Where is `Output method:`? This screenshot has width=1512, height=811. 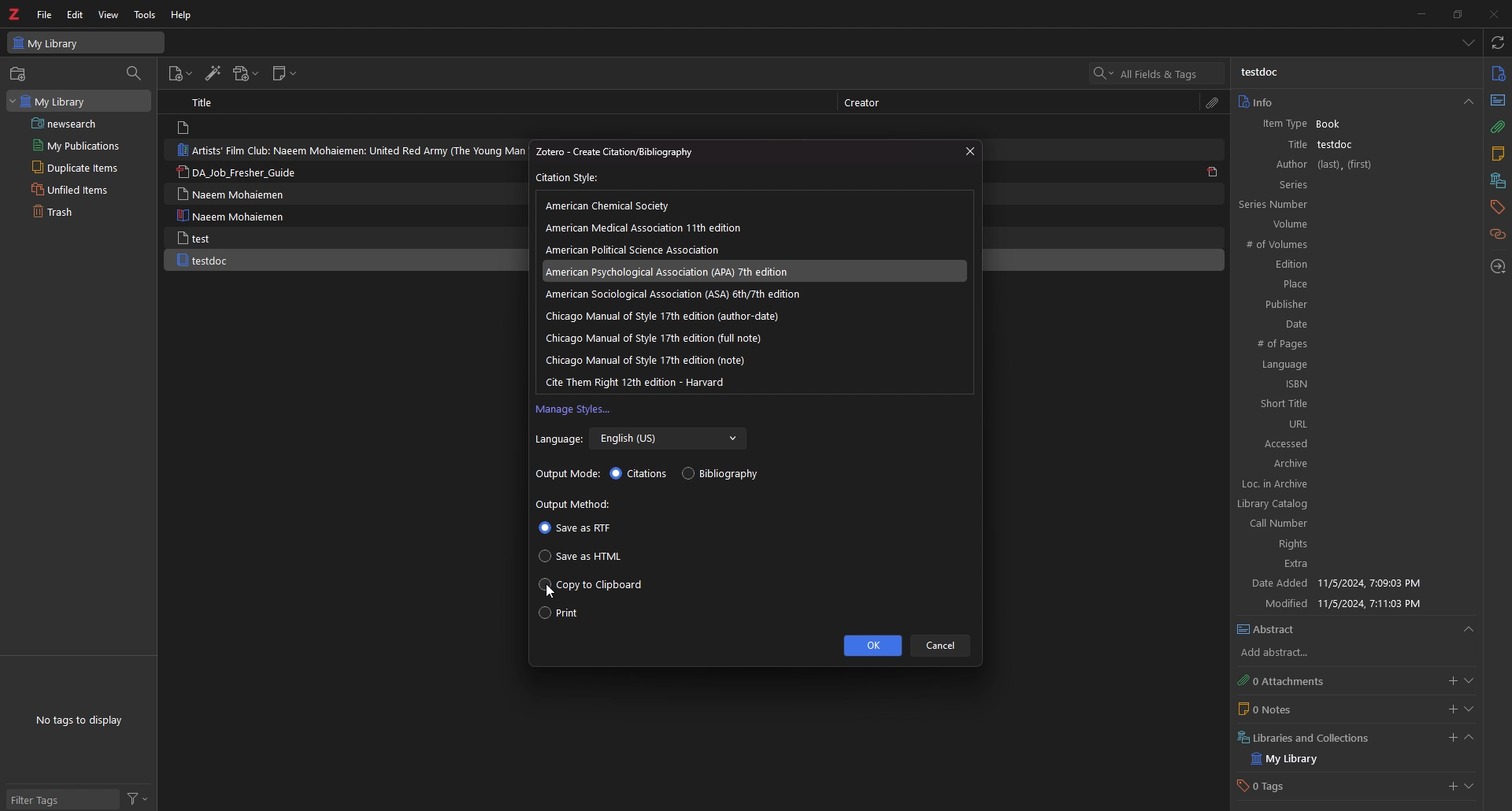
Output method: is located at coordinates (576, 505).